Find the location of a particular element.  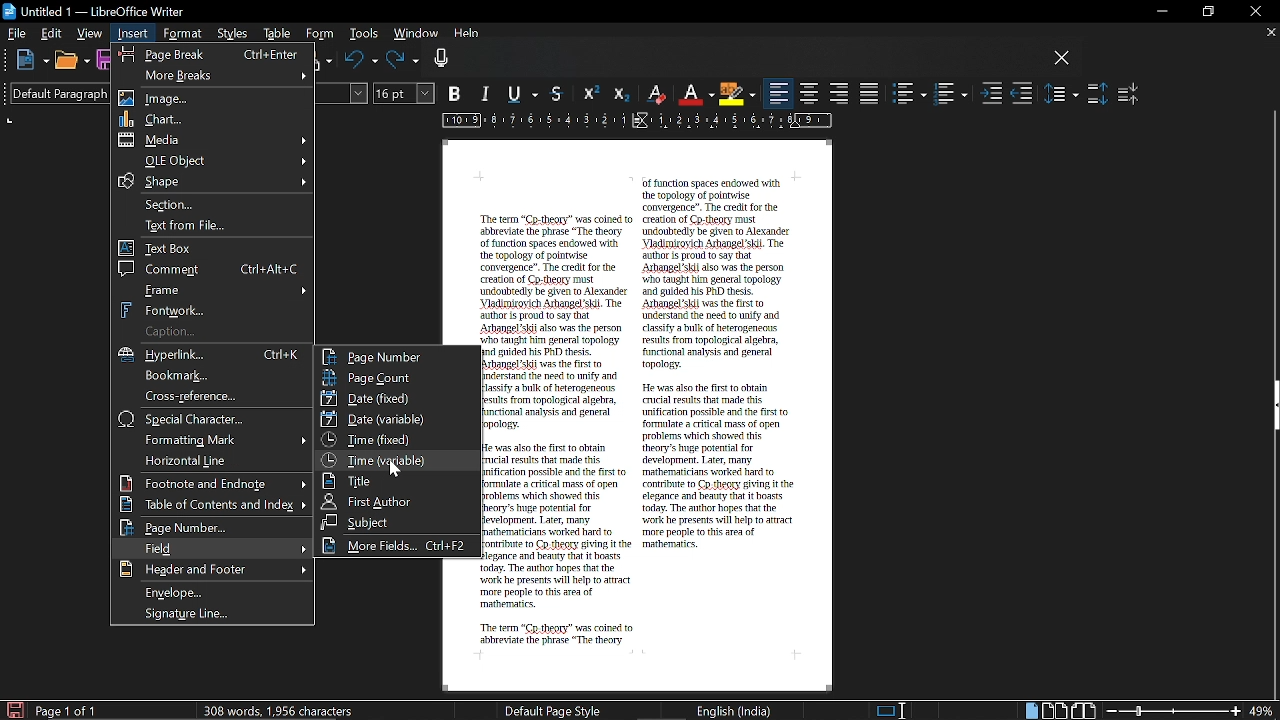

Close current tab is located at coordinates (1270, 32).